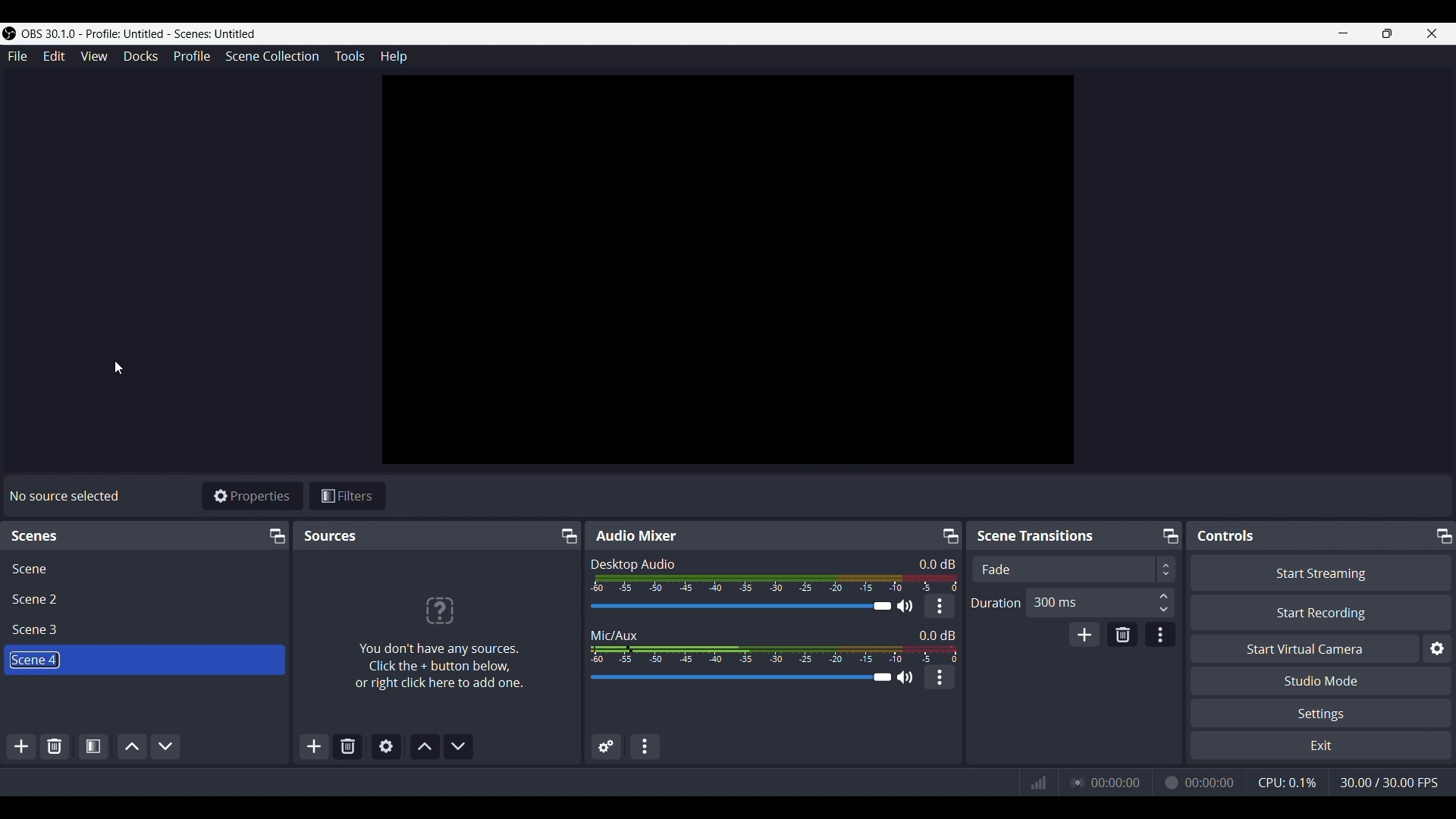 This screenshot has height=819, width=1456. Describe the element at coordinates (1229, 535) in the screenshot. I see `Controls` at that location.